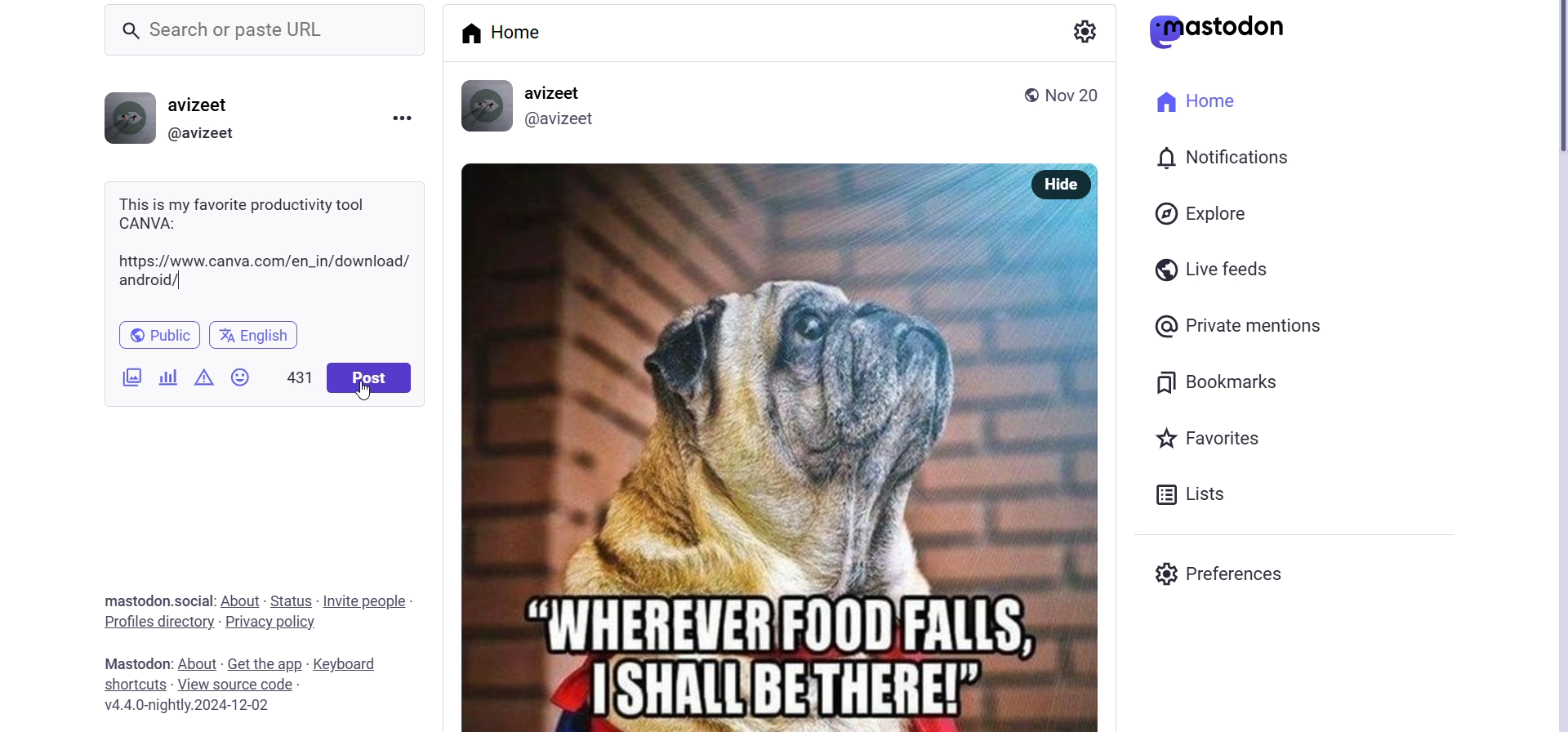  Describe the element at coordinates (299, 375) in the screenshot. I see `431` at that location.